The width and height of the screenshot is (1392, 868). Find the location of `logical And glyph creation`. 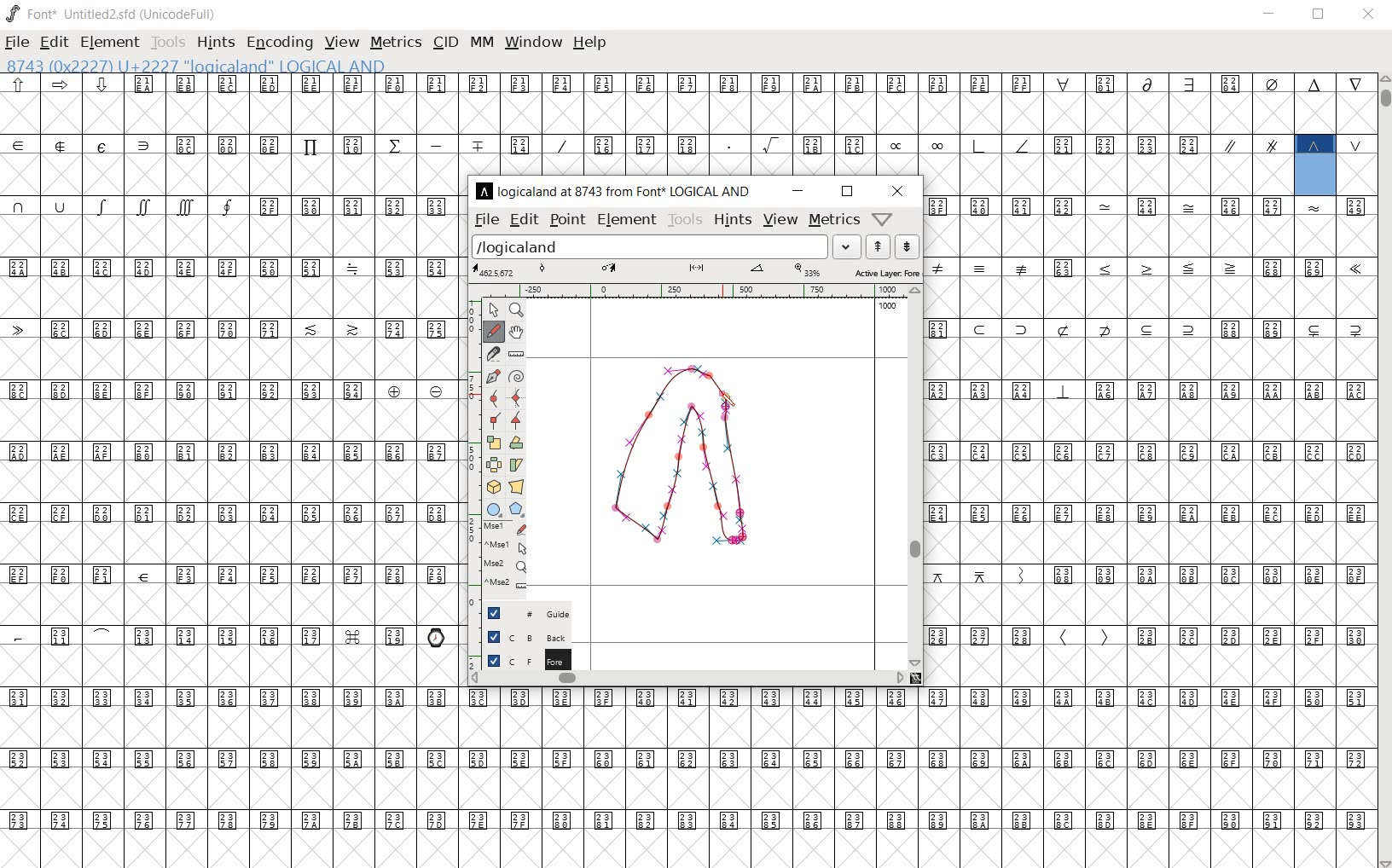

logical And glyph creation is located at coordinates (689, 459).